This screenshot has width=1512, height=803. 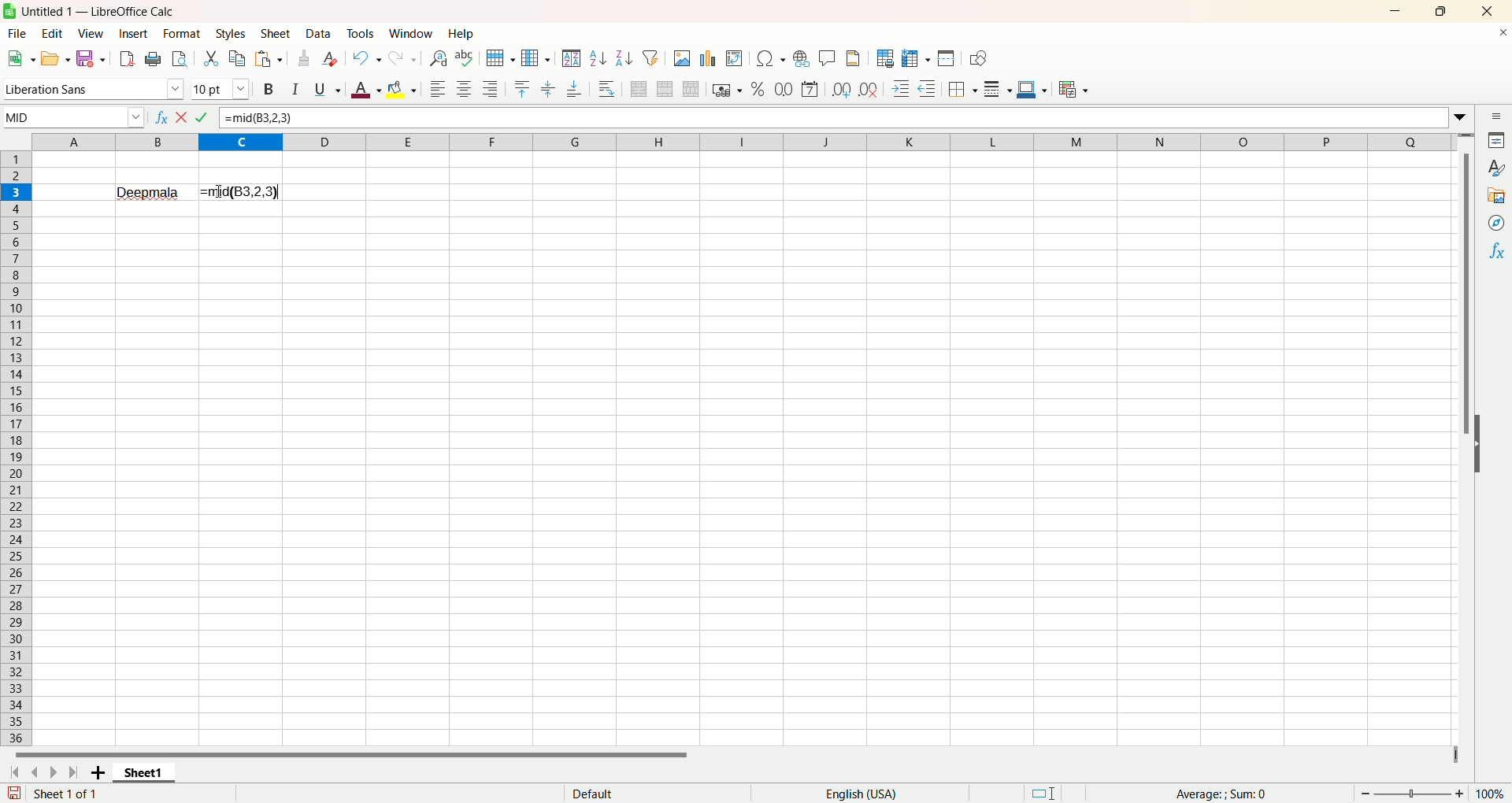 I want to click on Split window, so click(x=946, y=57).